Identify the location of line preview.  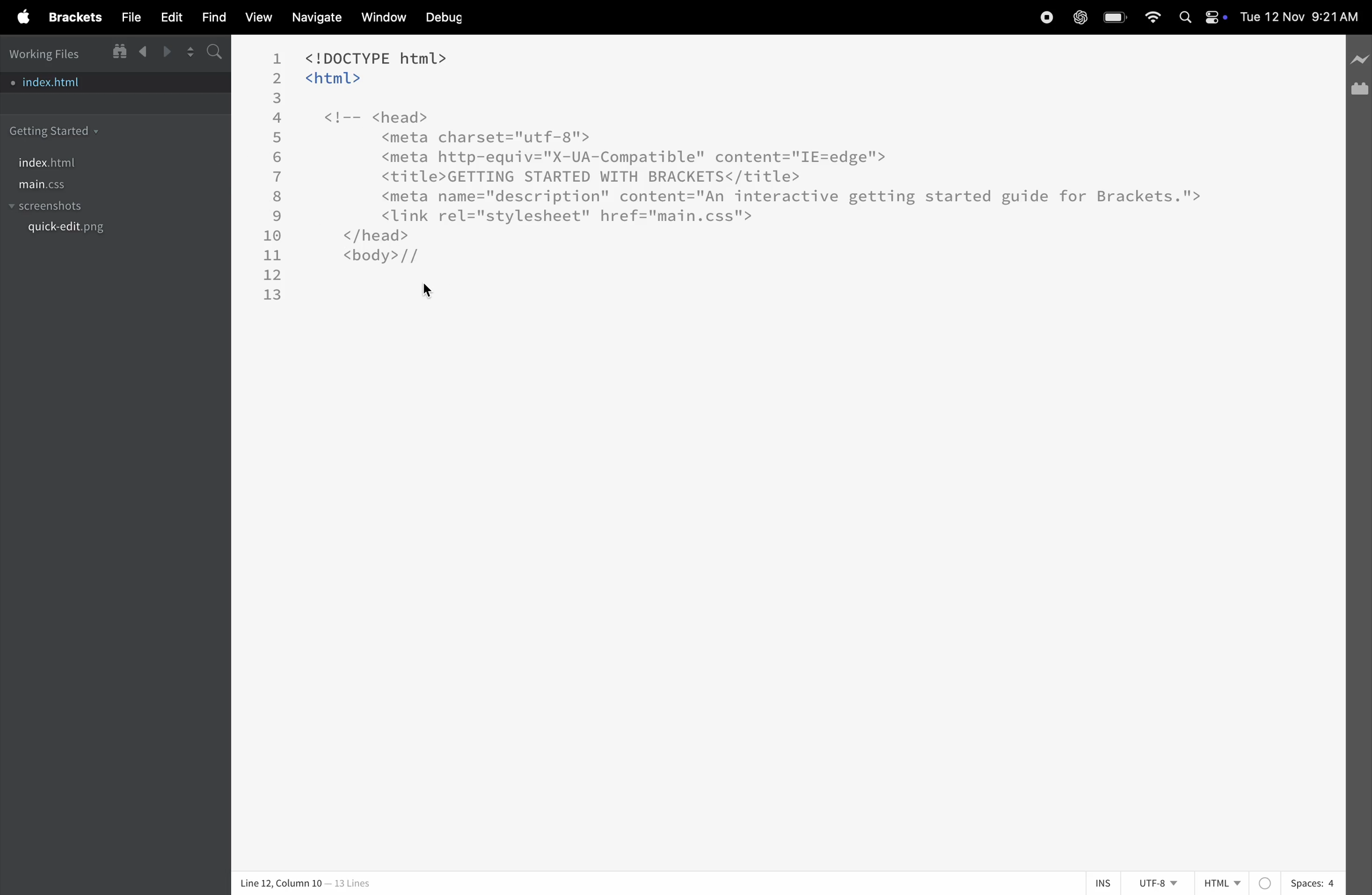
(1359, 60).